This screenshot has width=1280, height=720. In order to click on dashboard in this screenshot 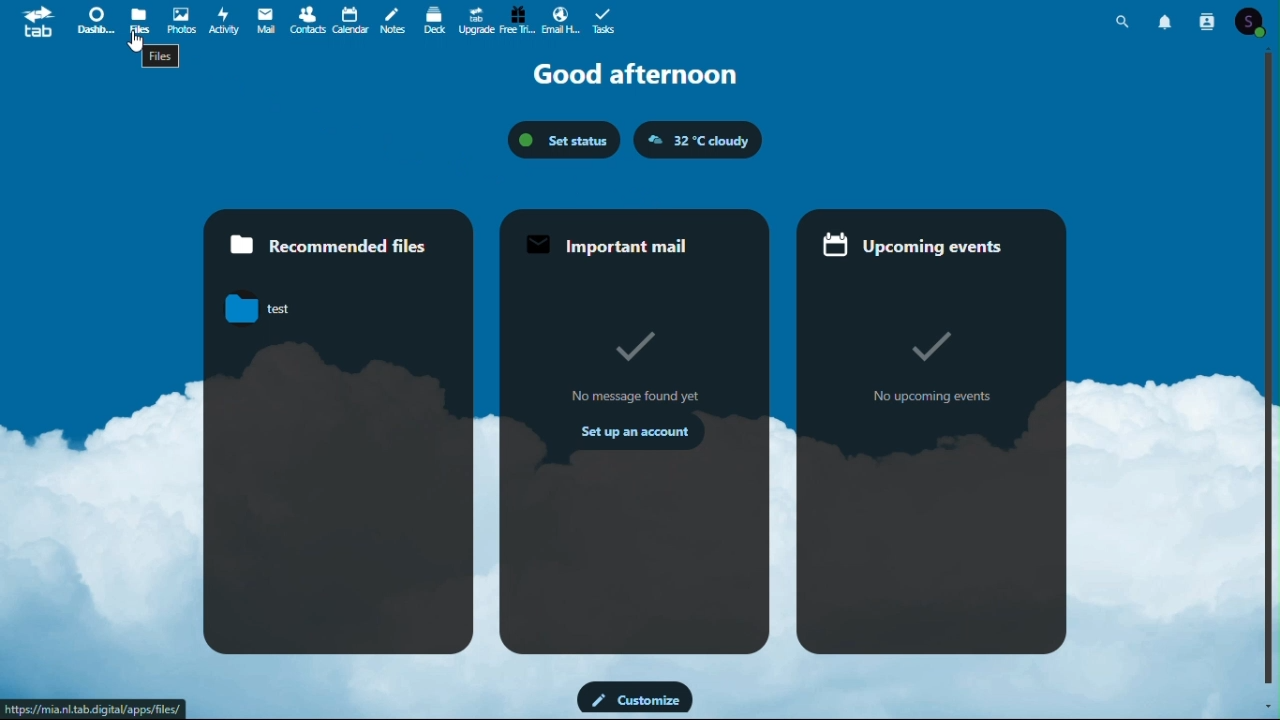, I will do `click(97, 20)`.